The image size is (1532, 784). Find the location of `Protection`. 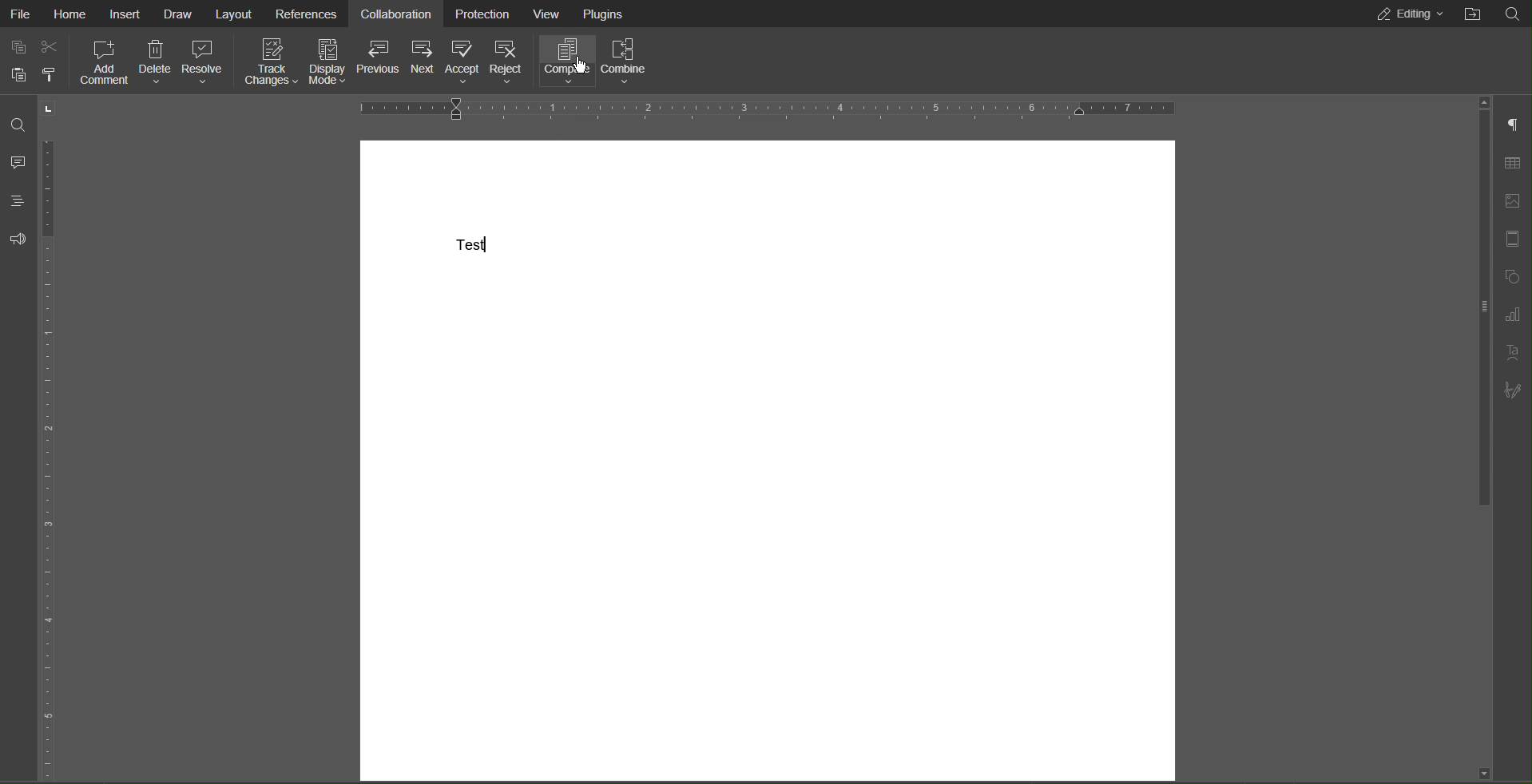

Protection is located at coordinates (484, 14).